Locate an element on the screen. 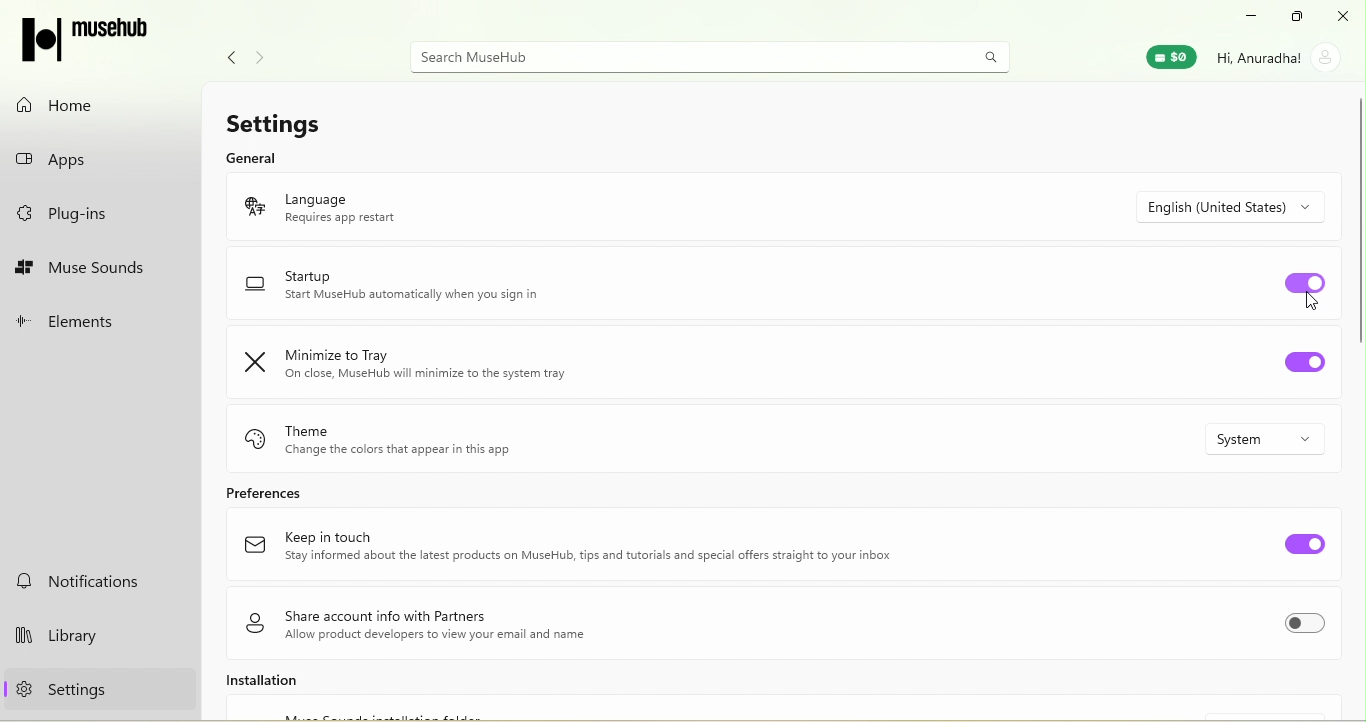 The image size is (1366, 722). General is located at coordinates (252, 159).